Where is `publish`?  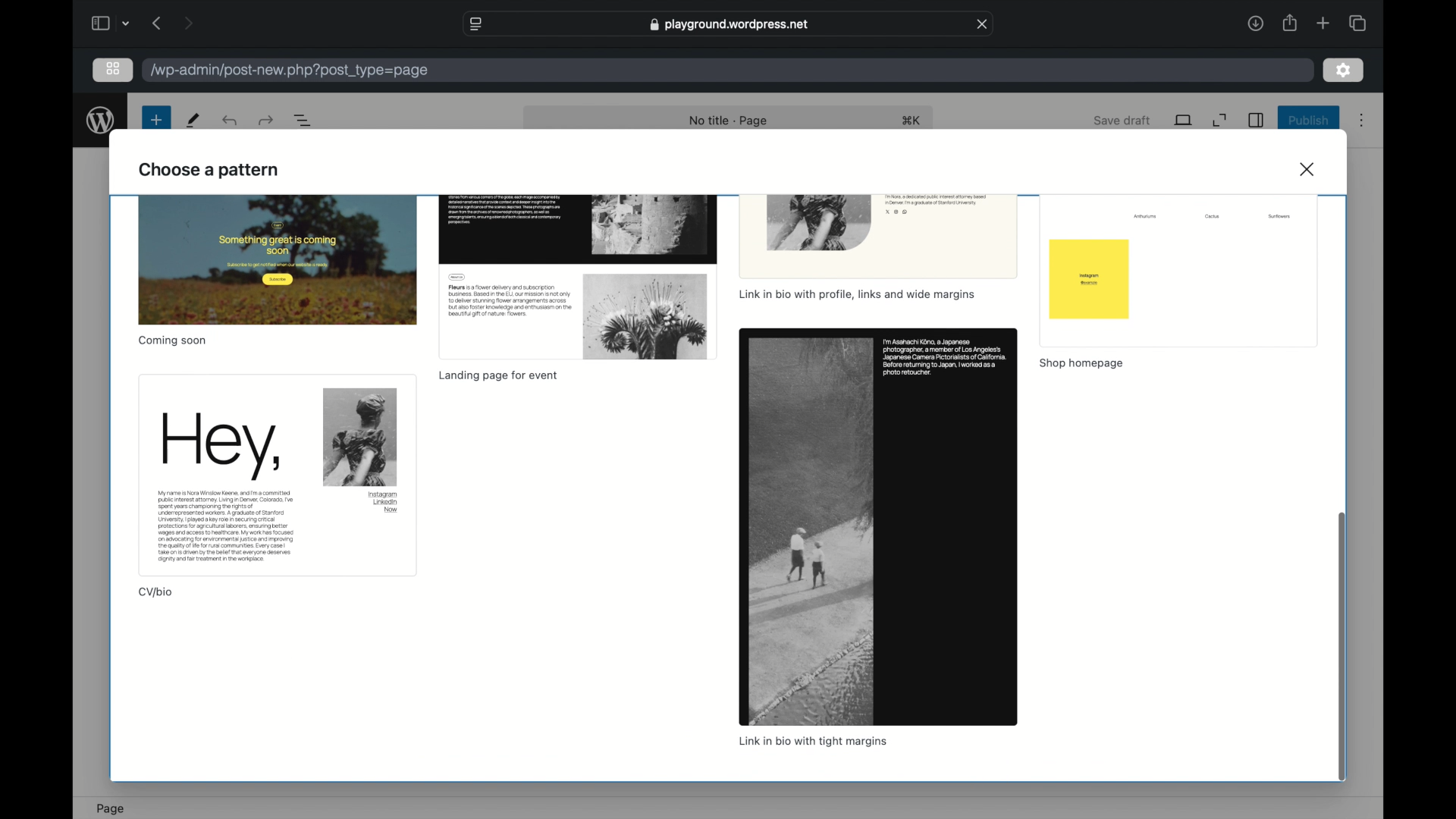 publish is located at coordinates (1309, 120).